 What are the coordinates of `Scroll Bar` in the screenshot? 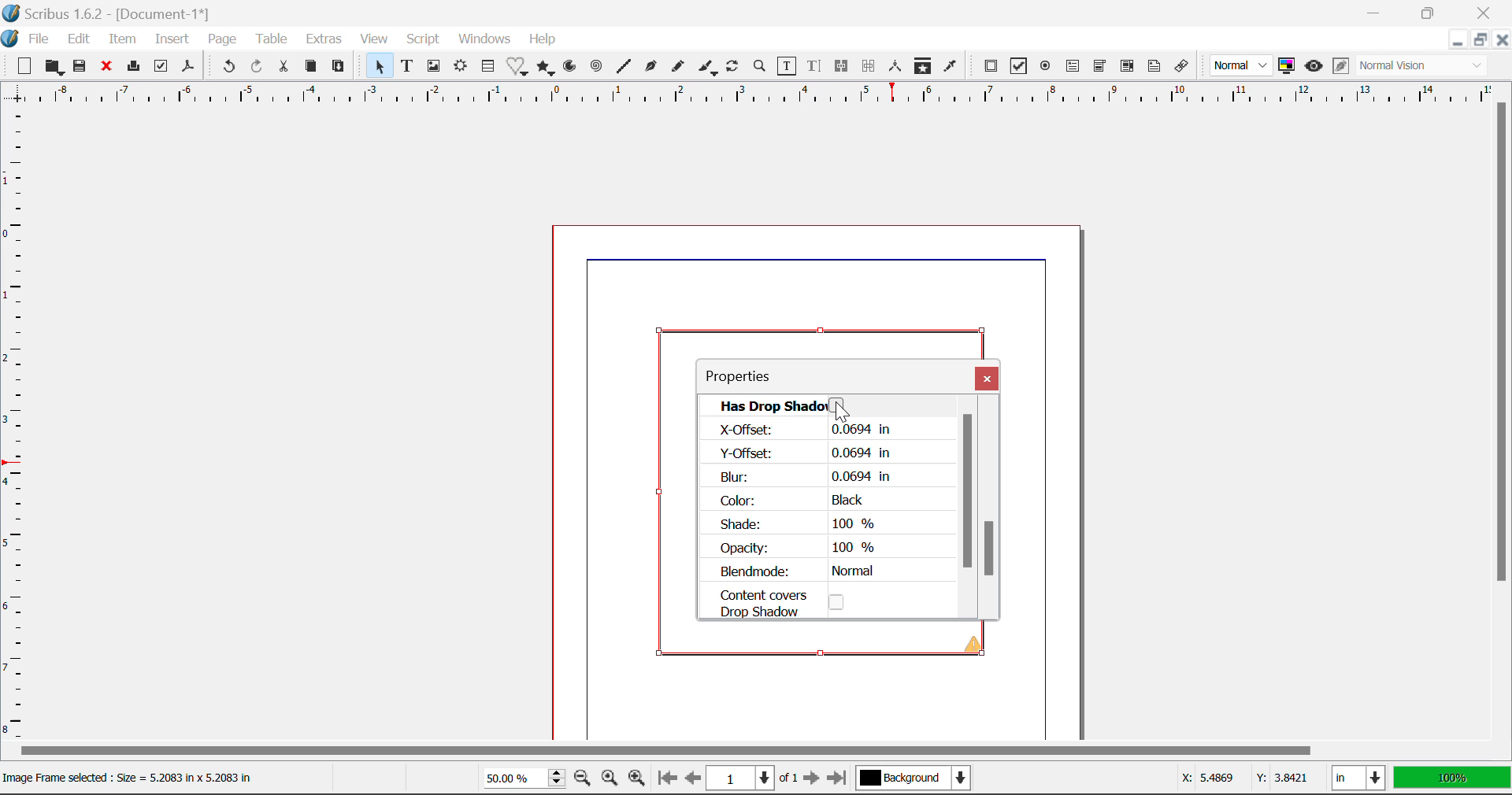 It's located at (992, 514).